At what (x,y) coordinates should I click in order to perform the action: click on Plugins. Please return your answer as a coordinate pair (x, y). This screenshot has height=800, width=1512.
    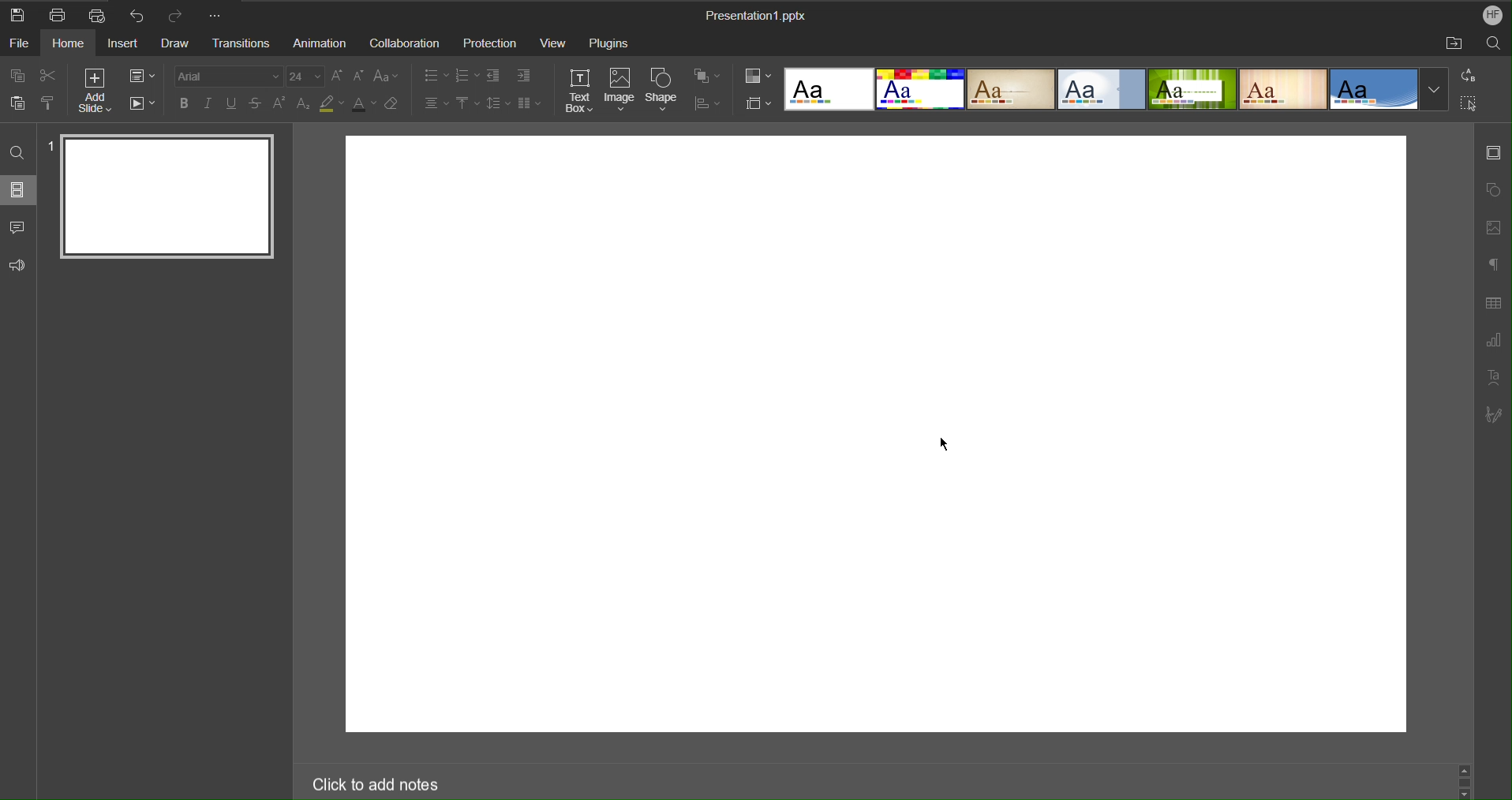
    Looking at the image, I should click on (608, 41).